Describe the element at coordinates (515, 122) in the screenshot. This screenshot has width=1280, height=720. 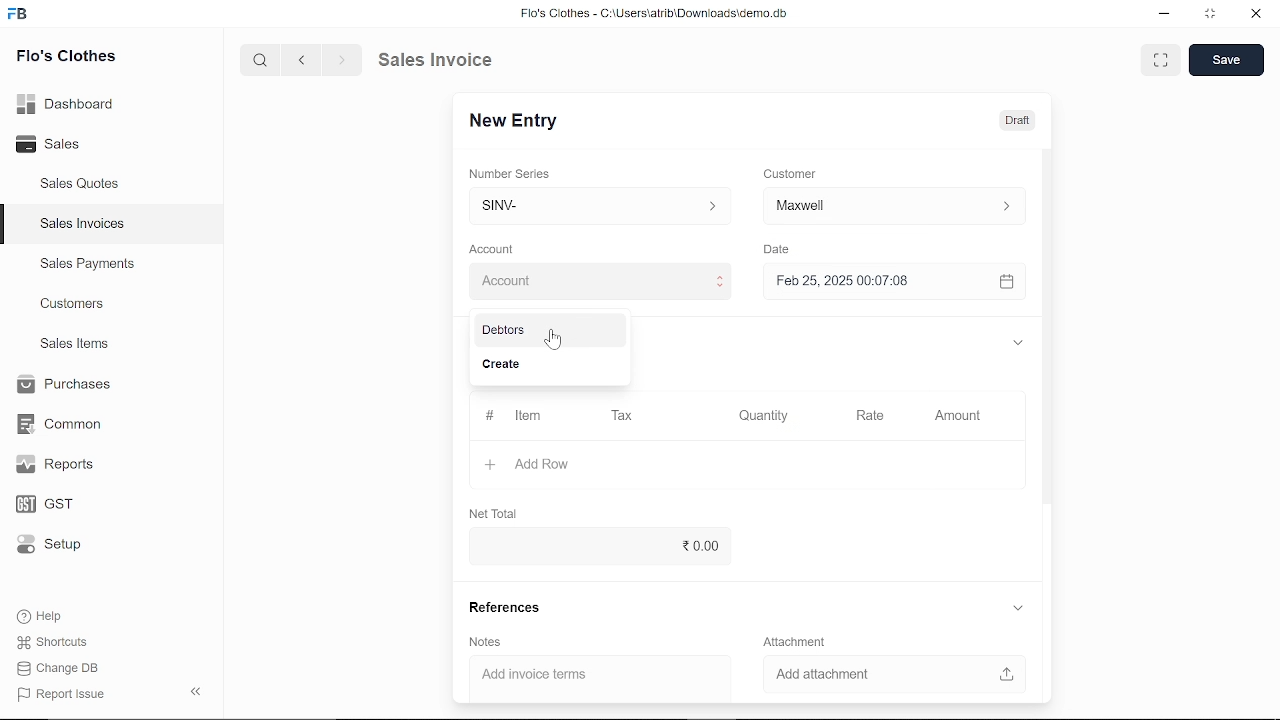
I see `New Entry` at that location.